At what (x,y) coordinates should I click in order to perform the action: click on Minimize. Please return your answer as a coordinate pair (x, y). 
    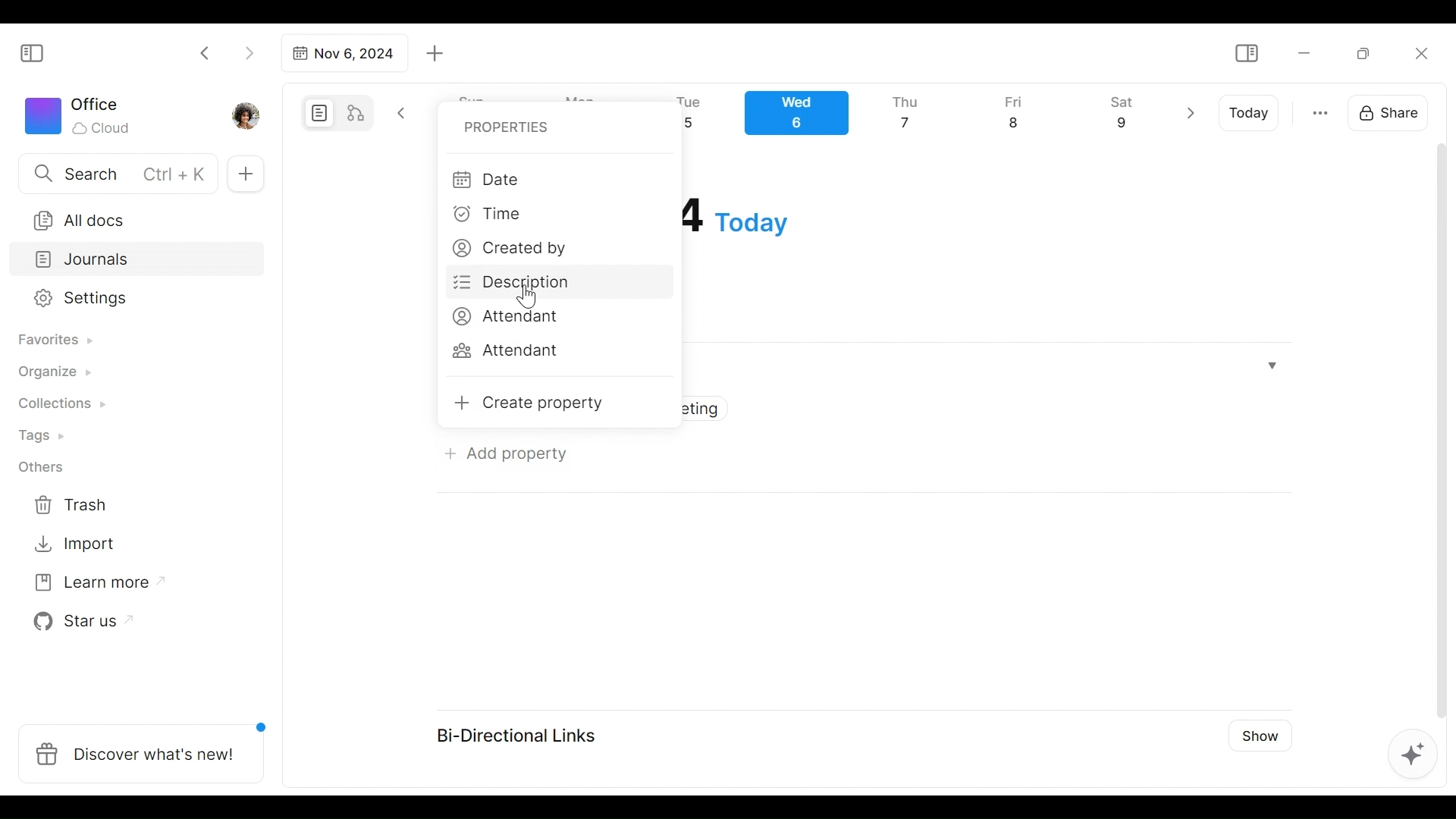
    Looking at the image, I should click on (1304, 52).